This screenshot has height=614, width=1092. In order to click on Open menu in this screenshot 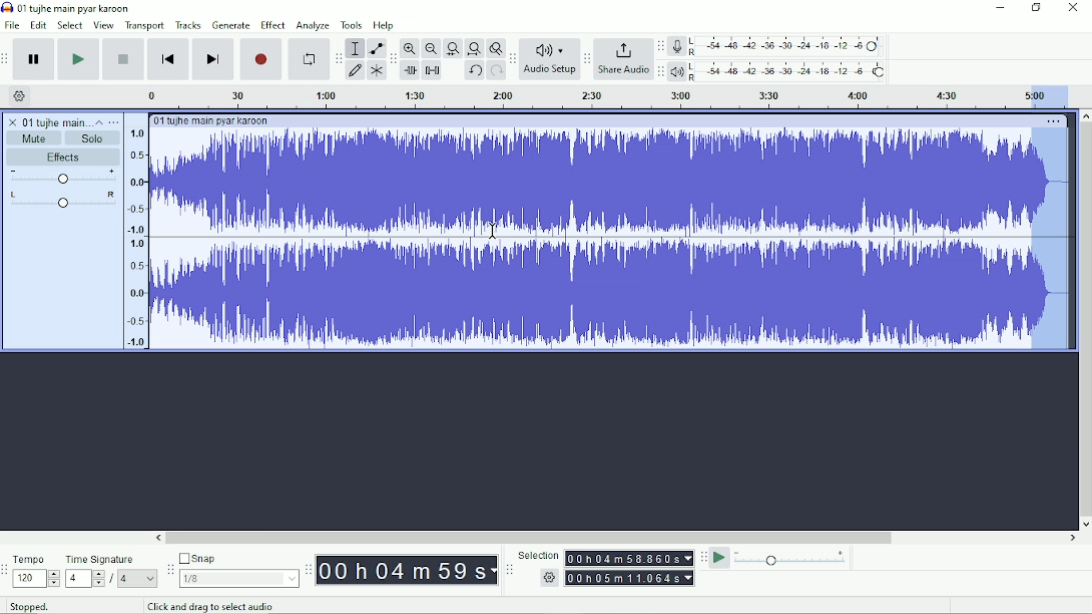, I will do `click(115, 122)`.